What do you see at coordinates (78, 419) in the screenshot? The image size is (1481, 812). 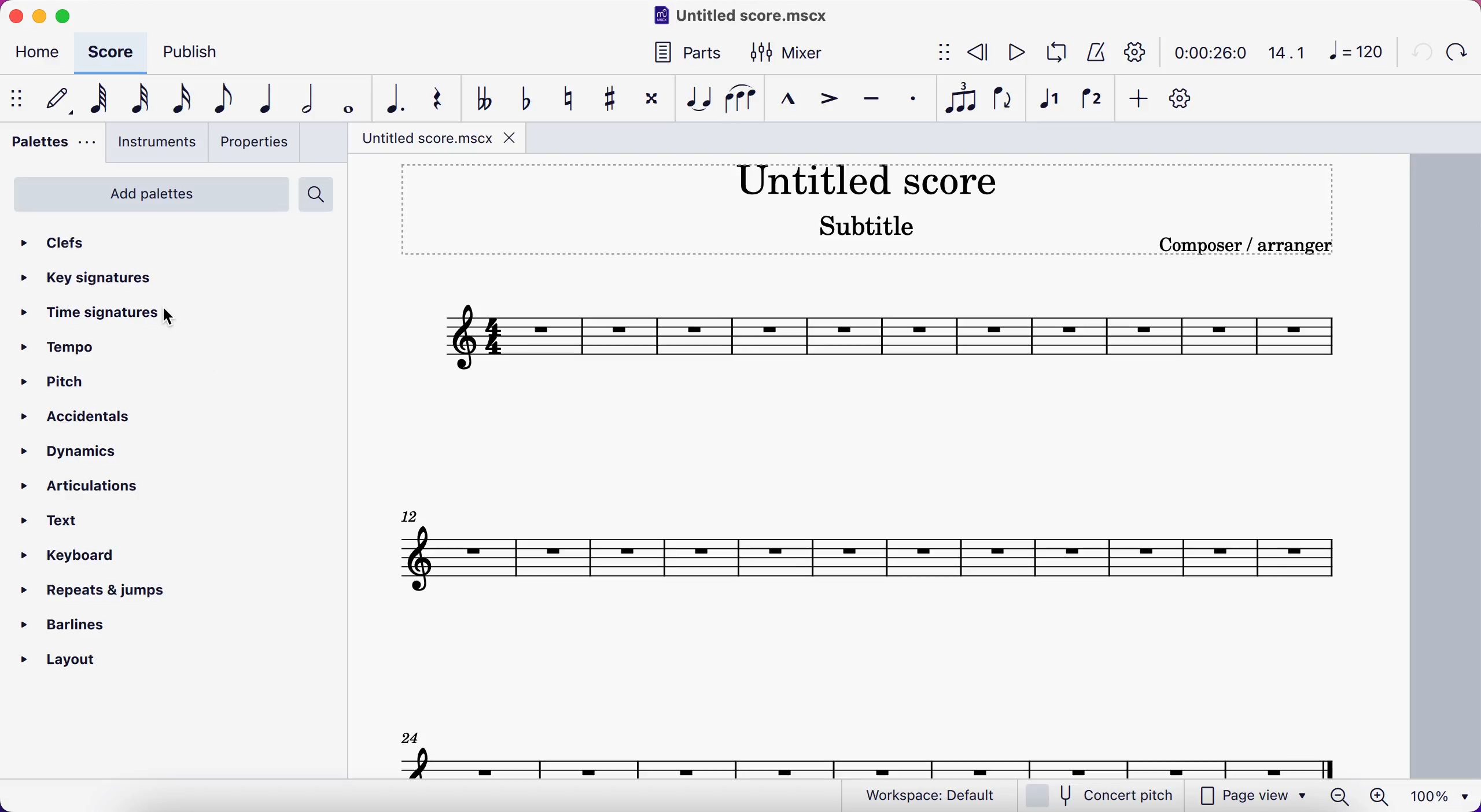 I see `` at bounding box center [78, 419].